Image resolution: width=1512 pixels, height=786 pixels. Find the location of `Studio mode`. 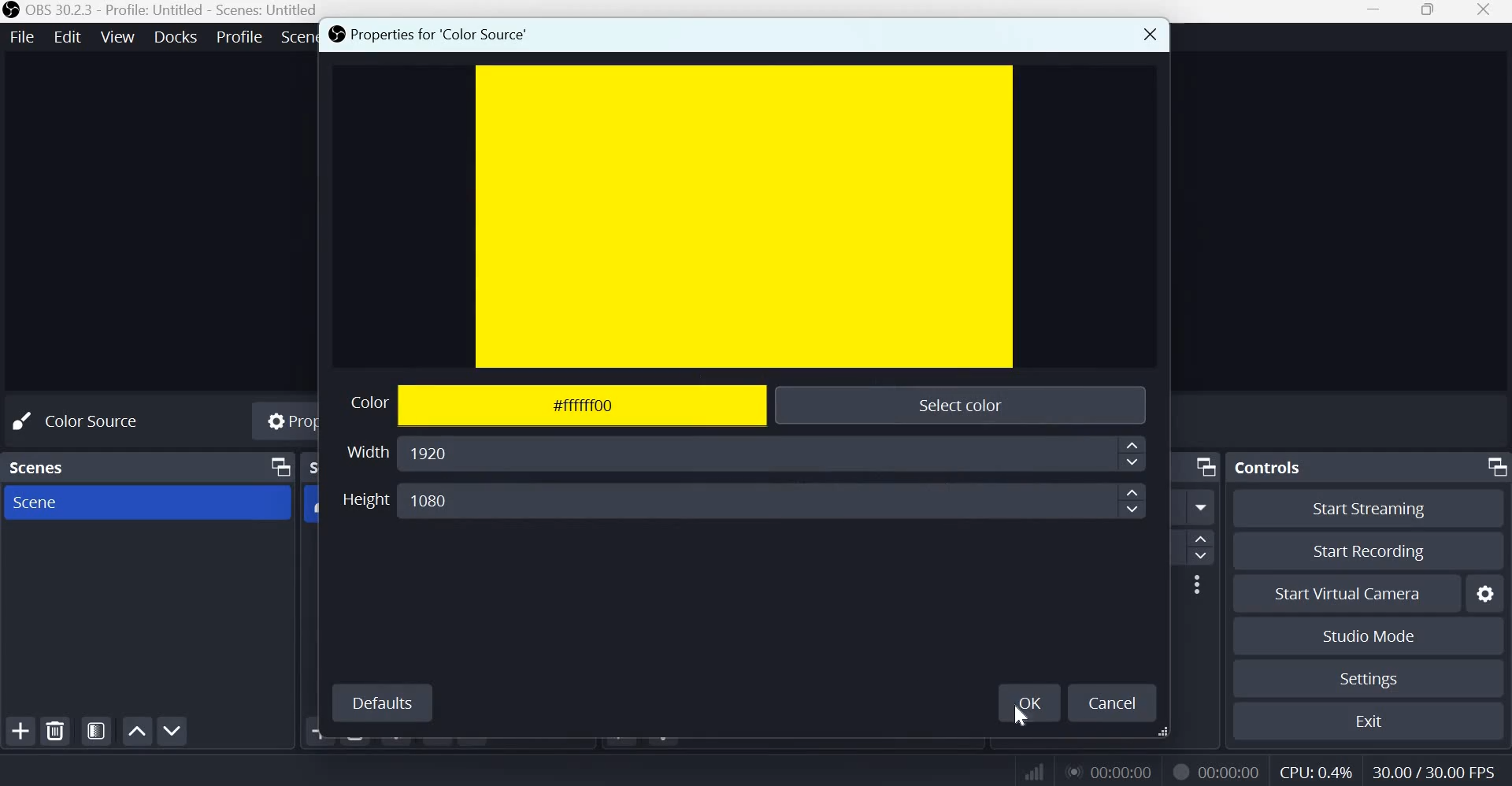

Studio mode is located at coordinates (1366, 636).